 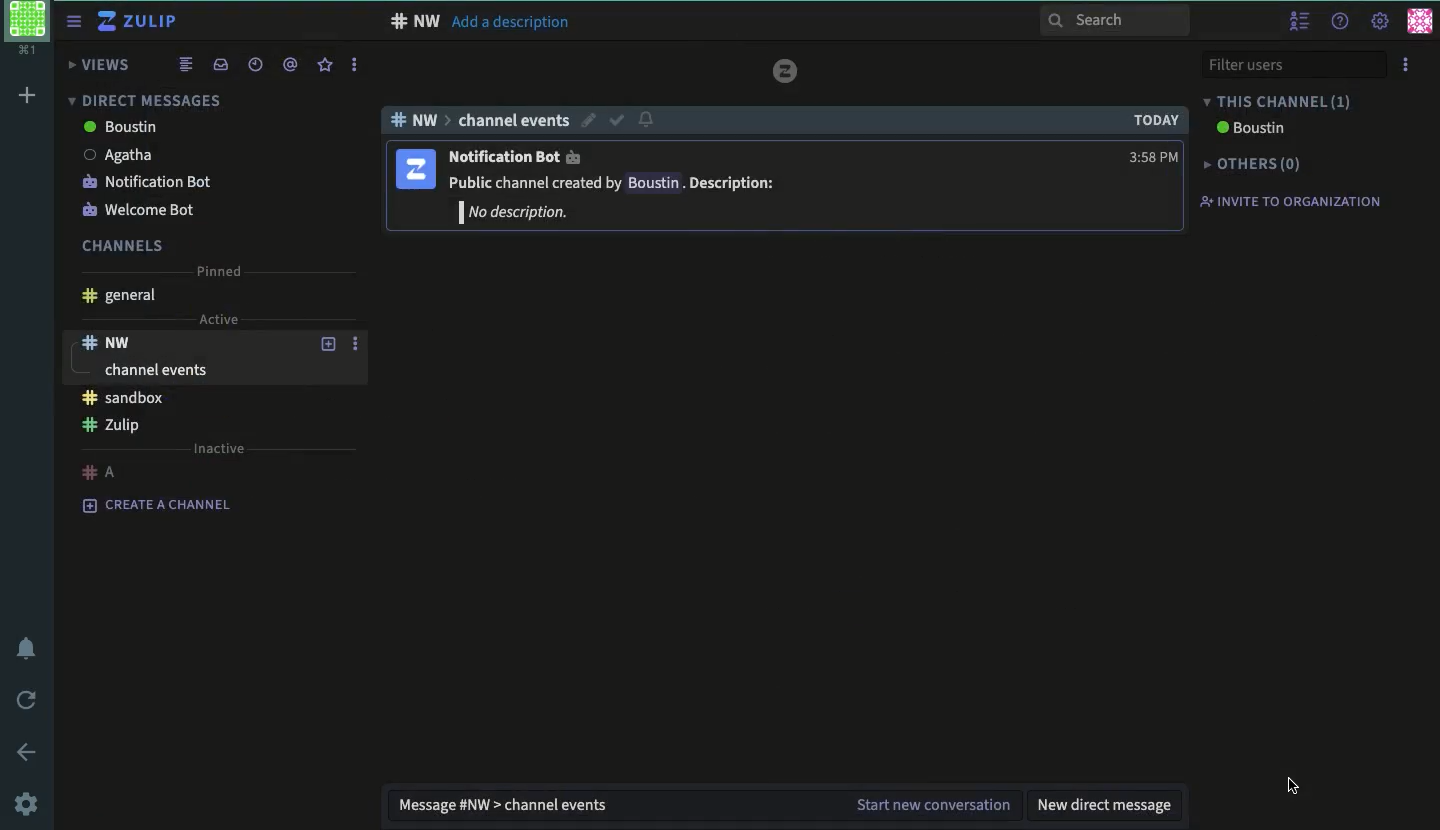 I want to click on direct messages, so click(x=137, y=100).